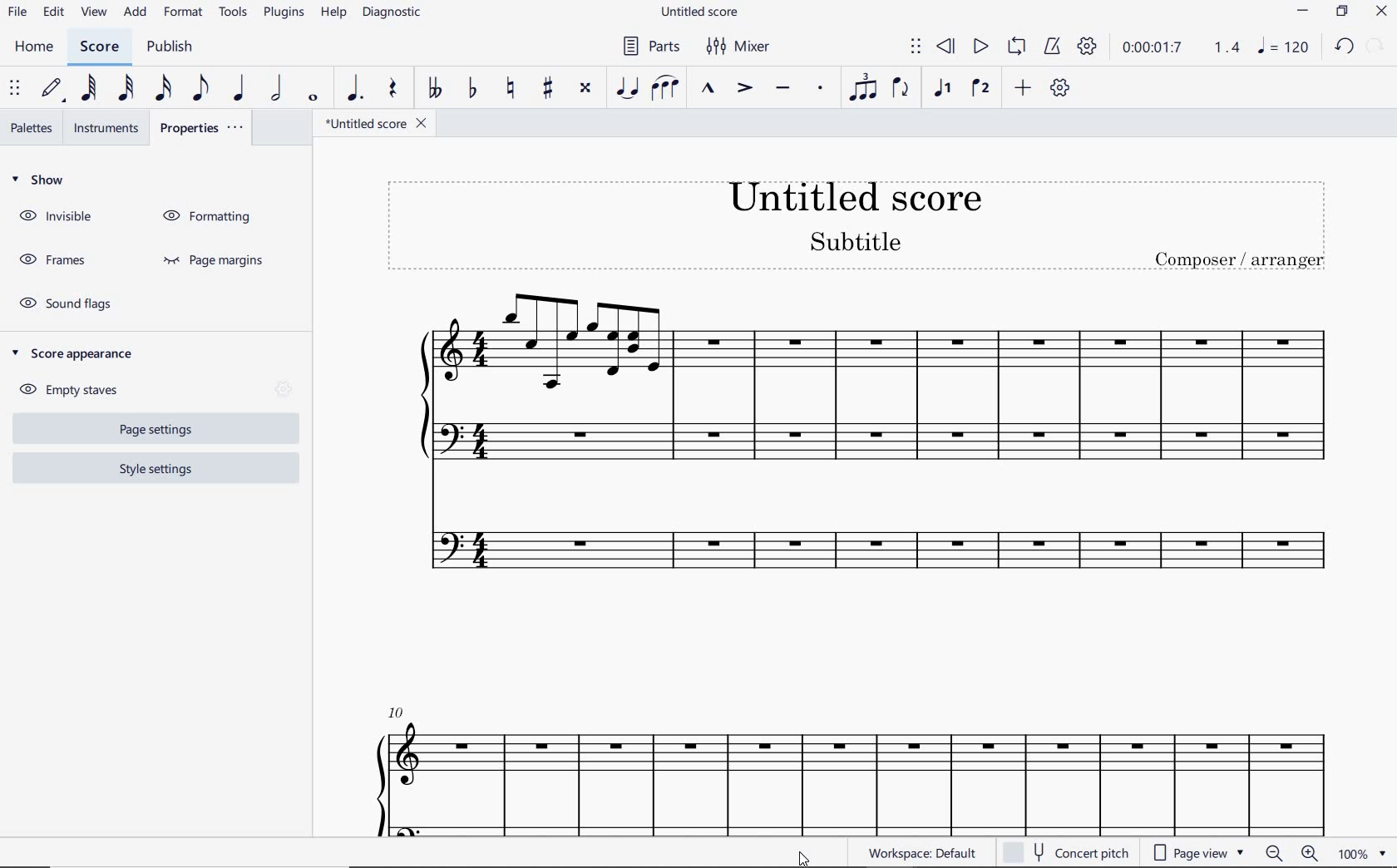 The image size is (1397, 868). I want to click on WHOLE NOTE, so click(313, 98).